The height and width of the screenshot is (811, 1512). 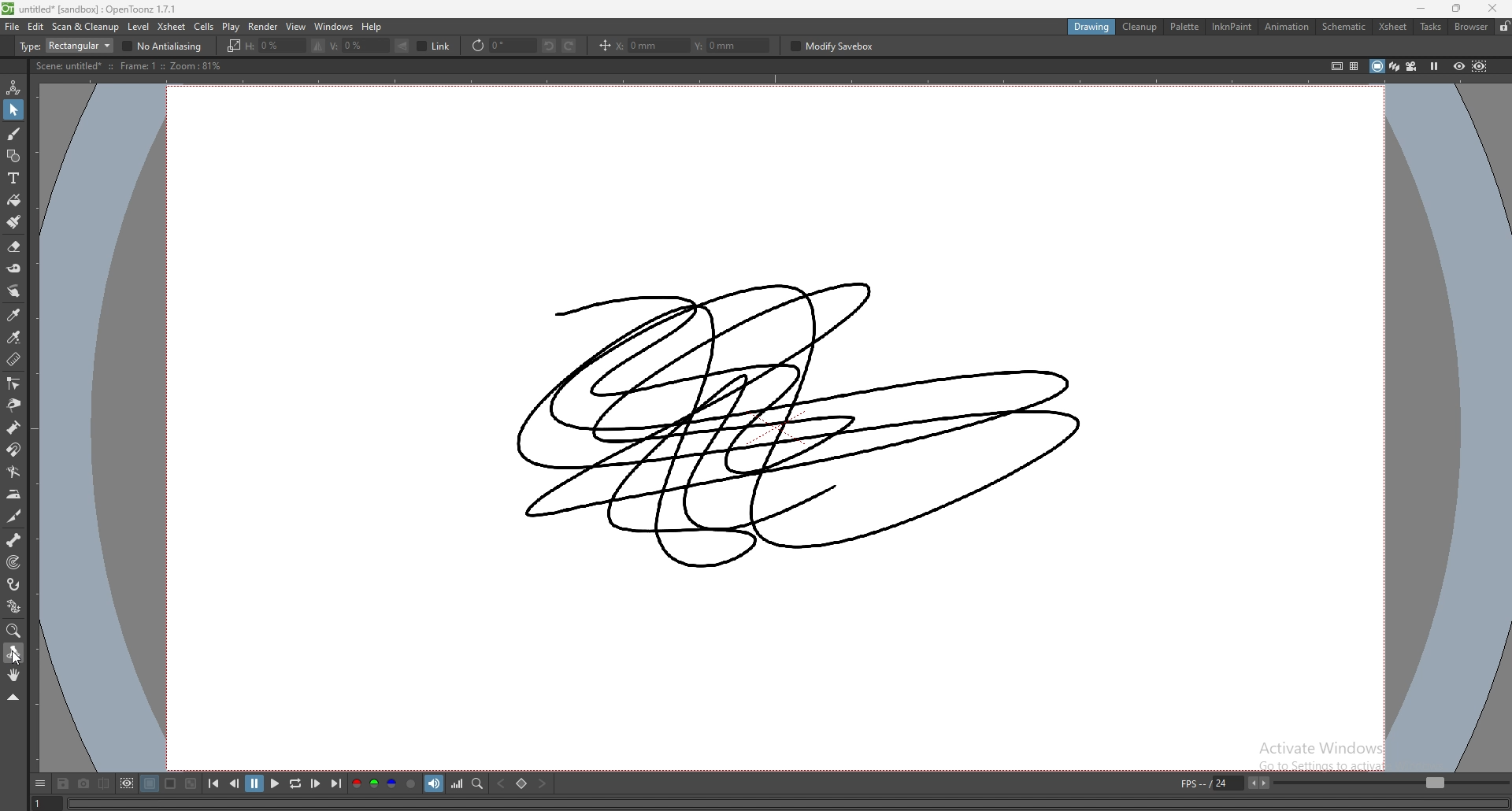 I want to click on green channel, so click(x=375, y=783).